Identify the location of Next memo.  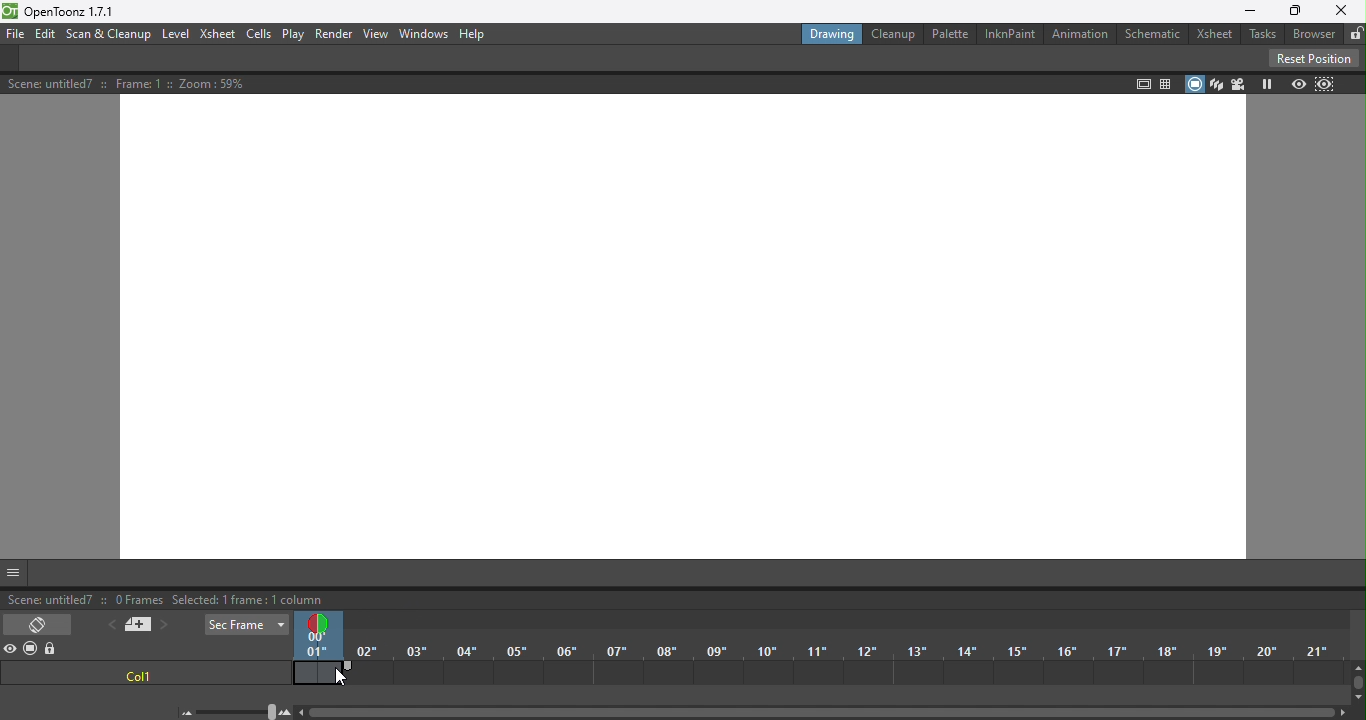
(164, 627).